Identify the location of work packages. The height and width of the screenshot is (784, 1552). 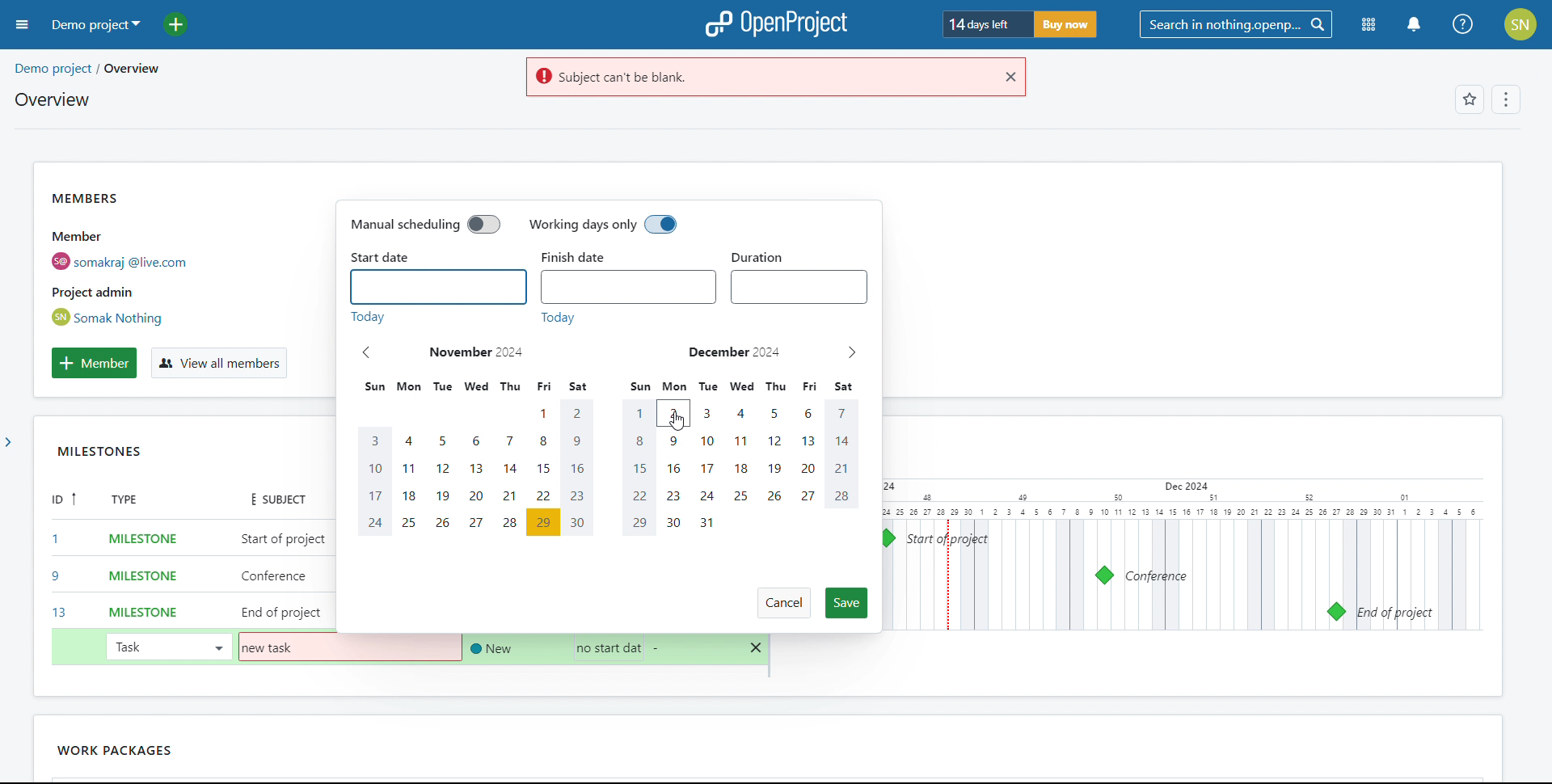
(77, 750).